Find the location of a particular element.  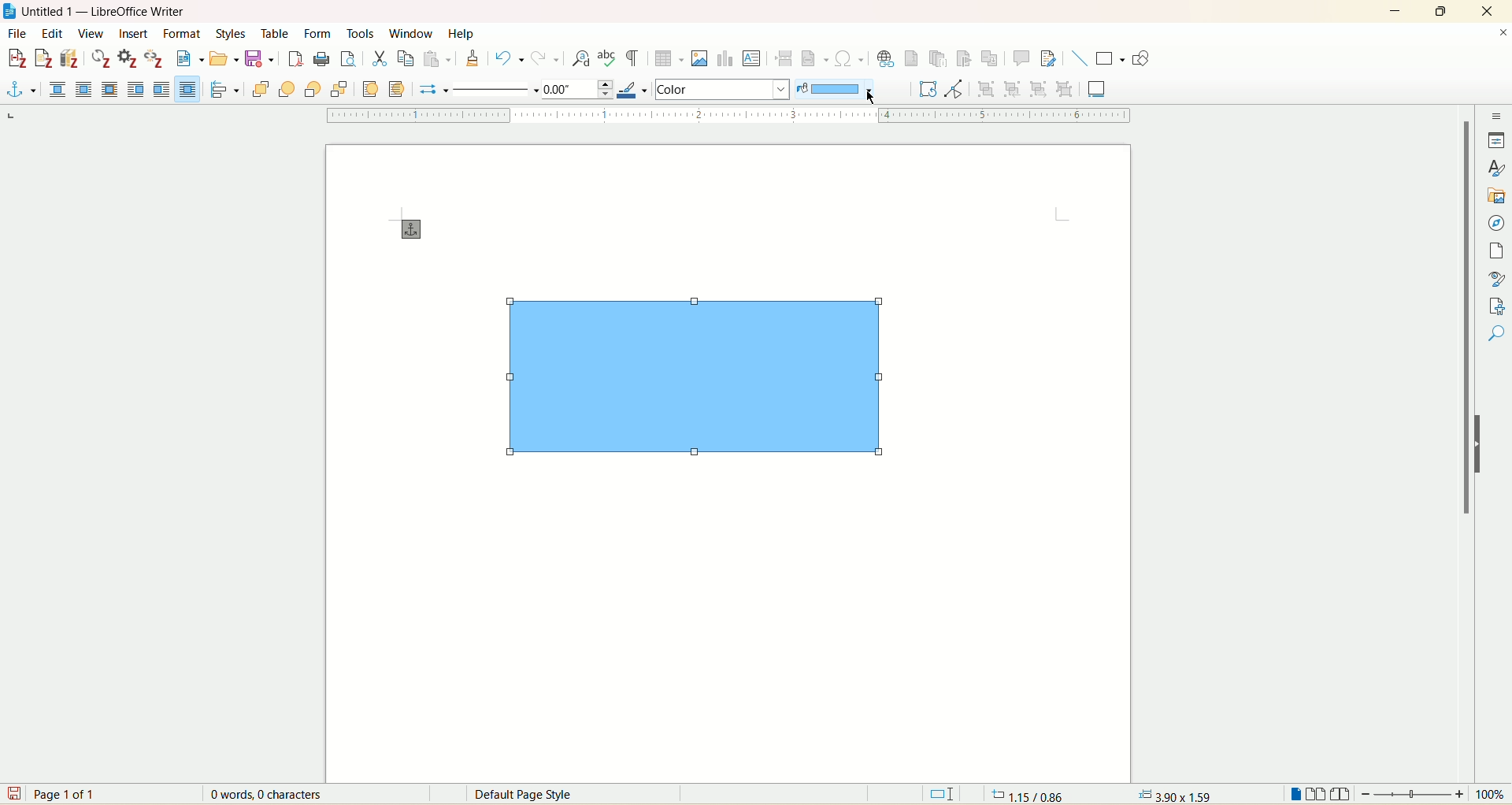

styles is located at coordinates (229, 33).